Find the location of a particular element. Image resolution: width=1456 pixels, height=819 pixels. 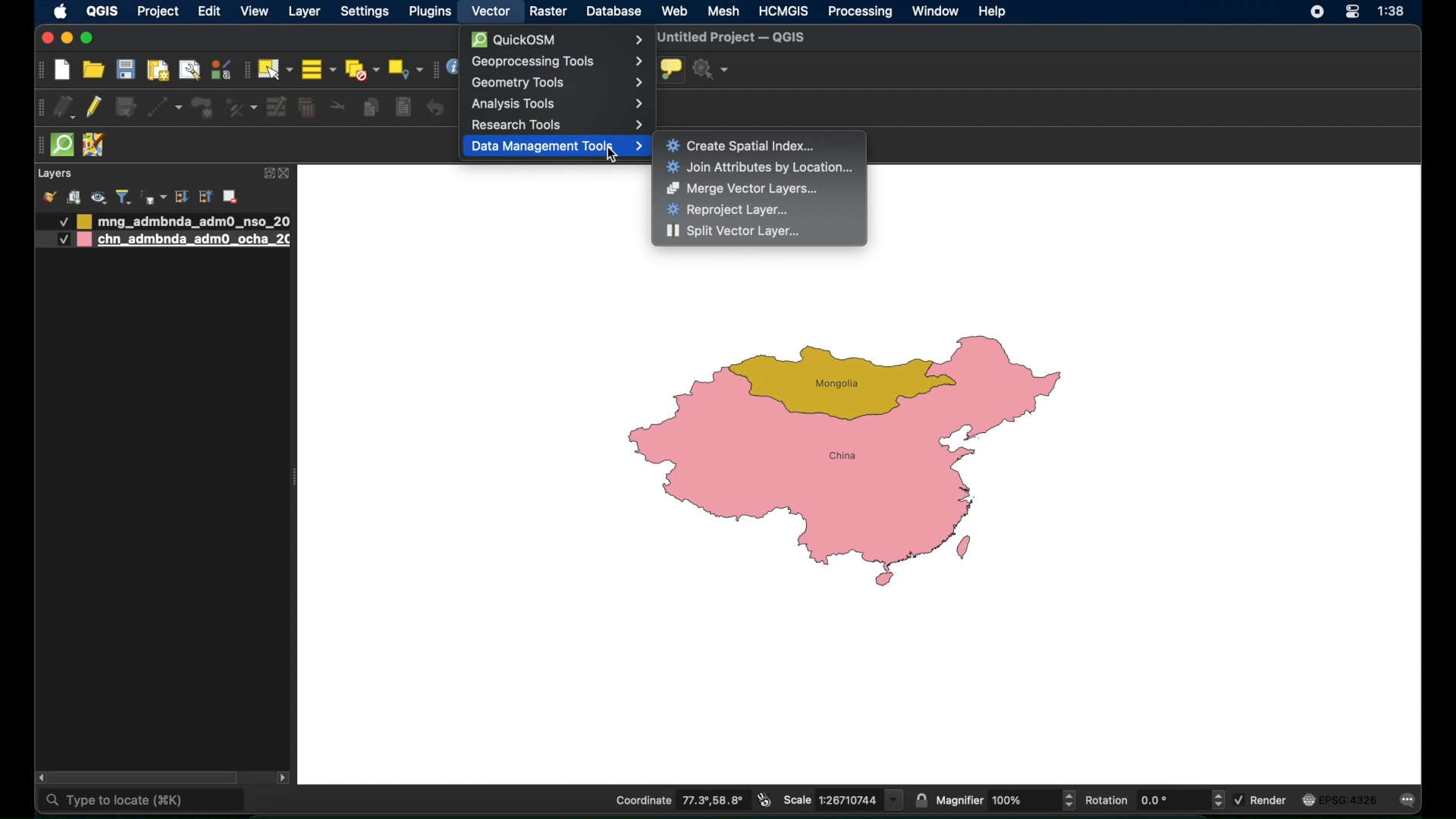

control center is located at coordinates (1313, 14).